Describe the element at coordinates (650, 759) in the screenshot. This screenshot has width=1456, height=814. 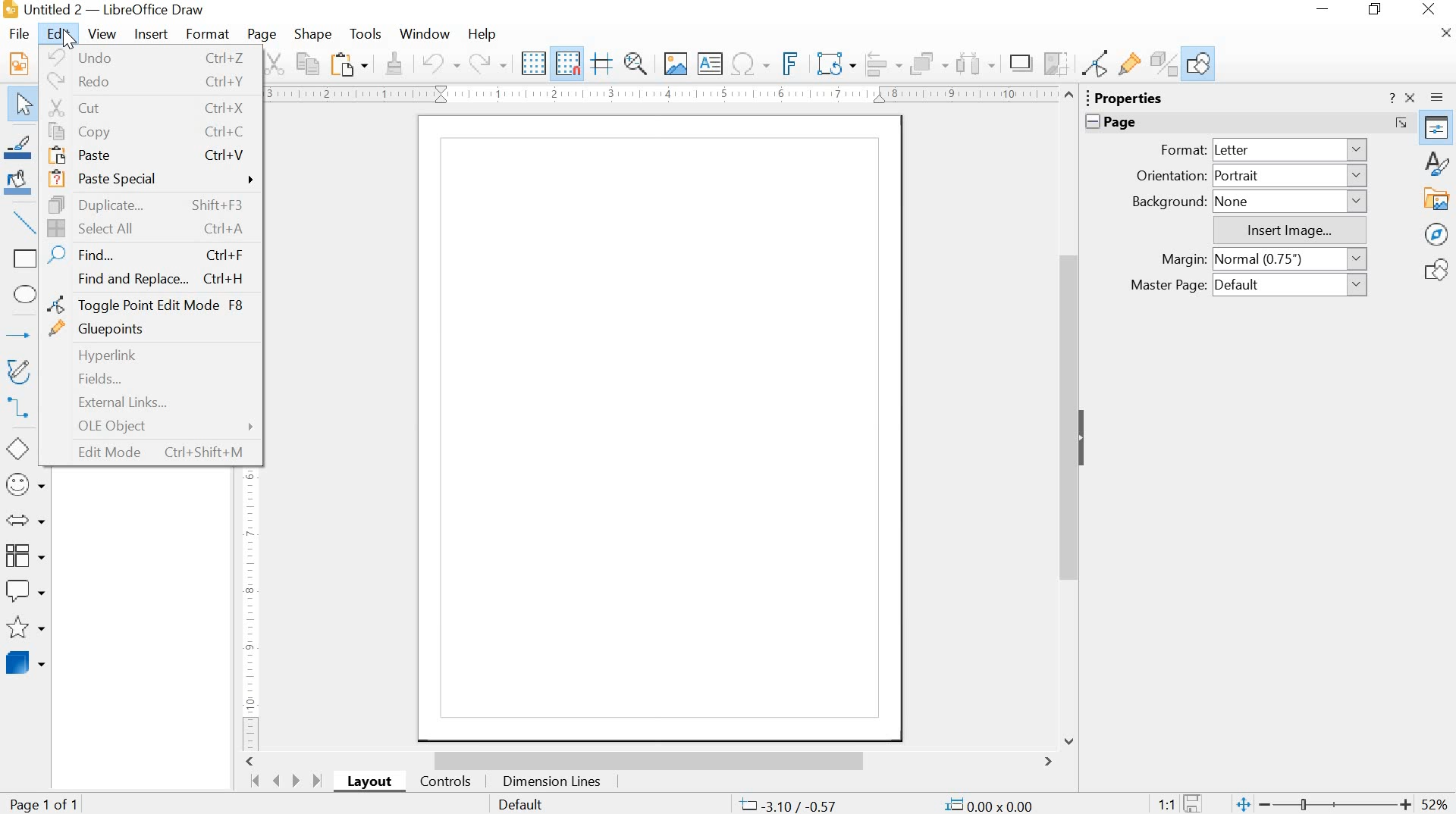
I see `scrollbar` at that location.